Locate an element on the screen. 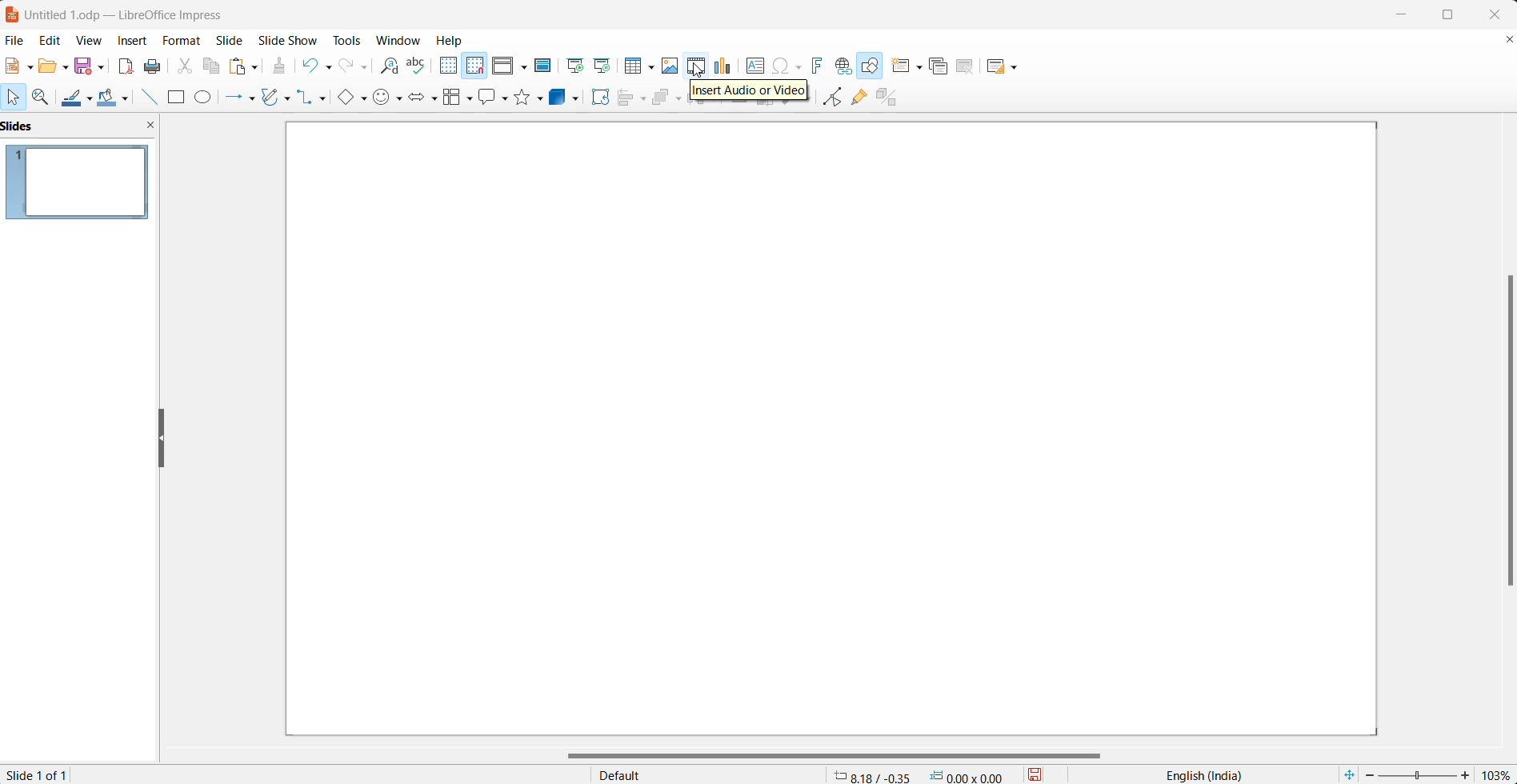 Image resolution: width=1517 pixels, height=784 pixels. basic shapes is located at coordinates (341, 98).